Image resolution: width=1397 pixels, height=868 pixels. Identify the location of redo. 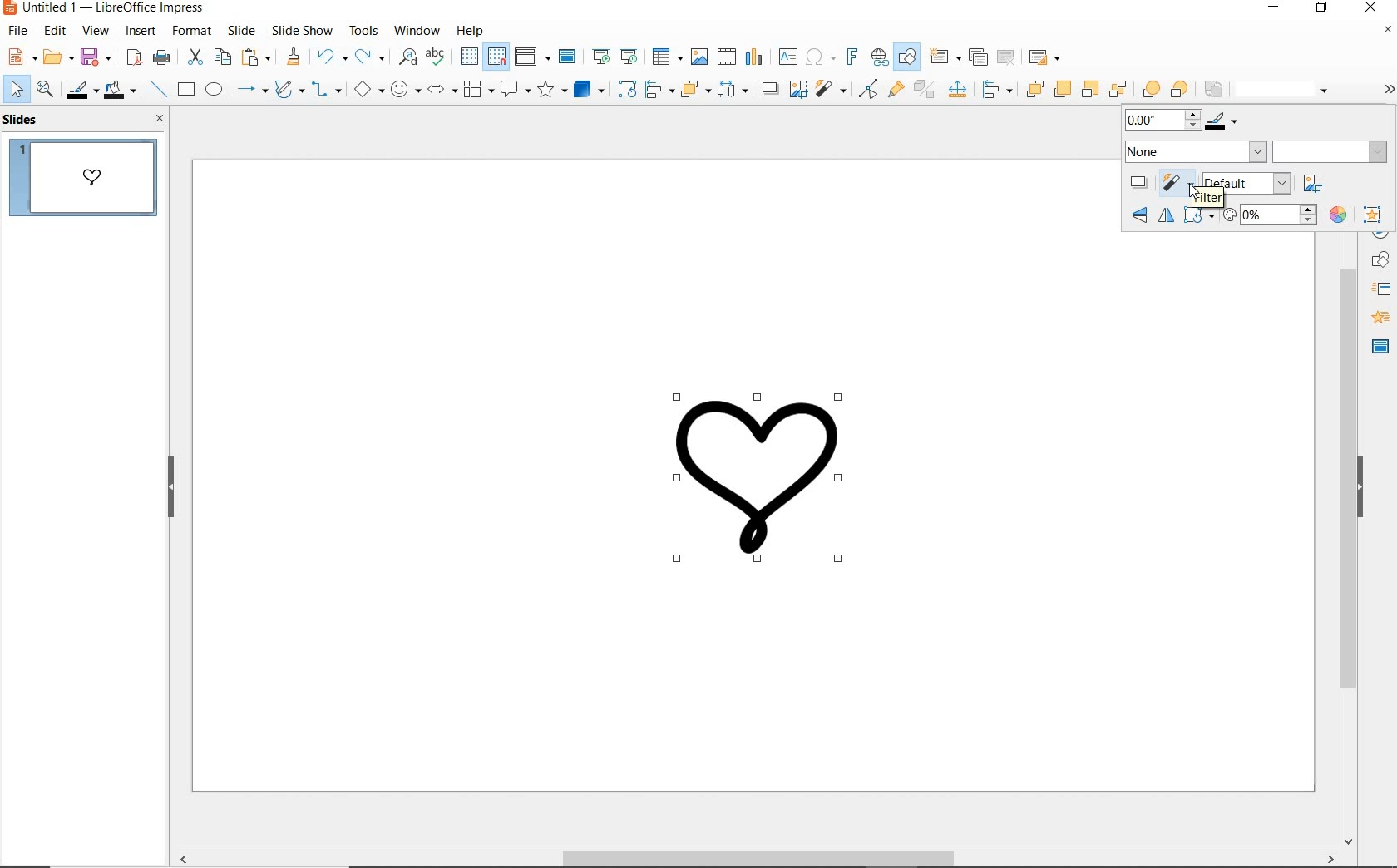
(369, 57).